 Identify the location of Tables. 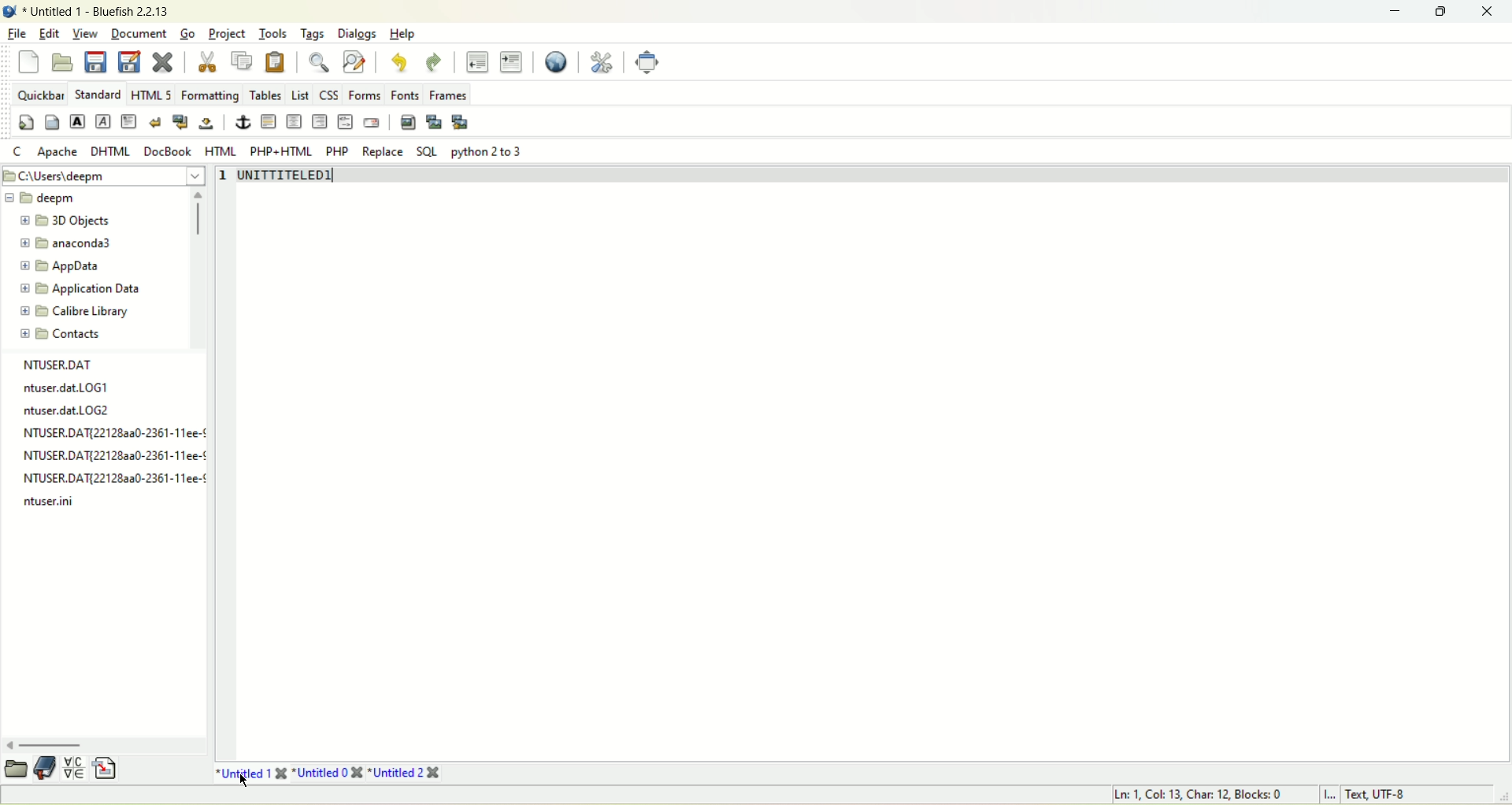
(265, 95).